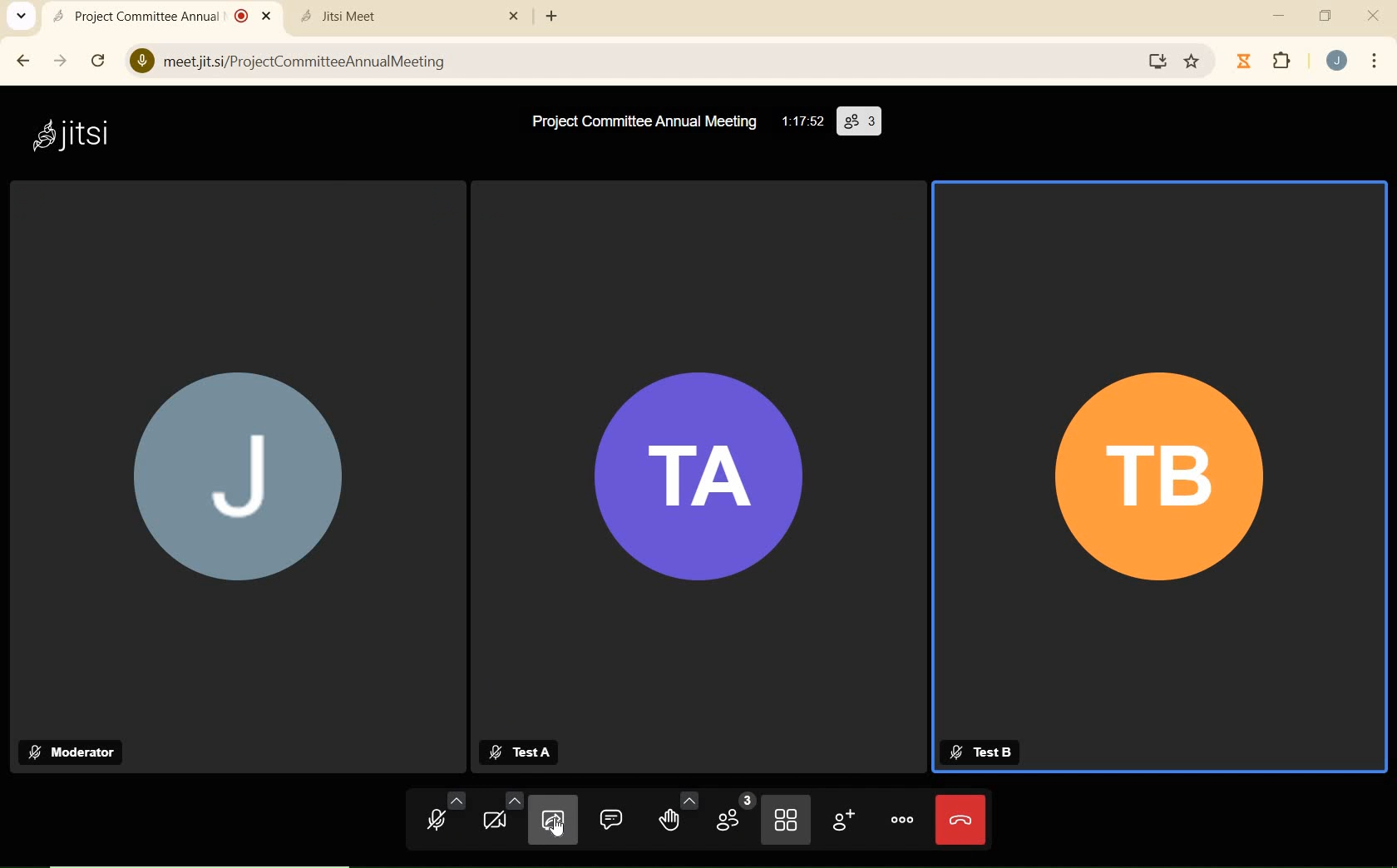  What do you see at coordinates (695, 481) in the screenshot?
I see `TA` at bounding box center [695, 481].